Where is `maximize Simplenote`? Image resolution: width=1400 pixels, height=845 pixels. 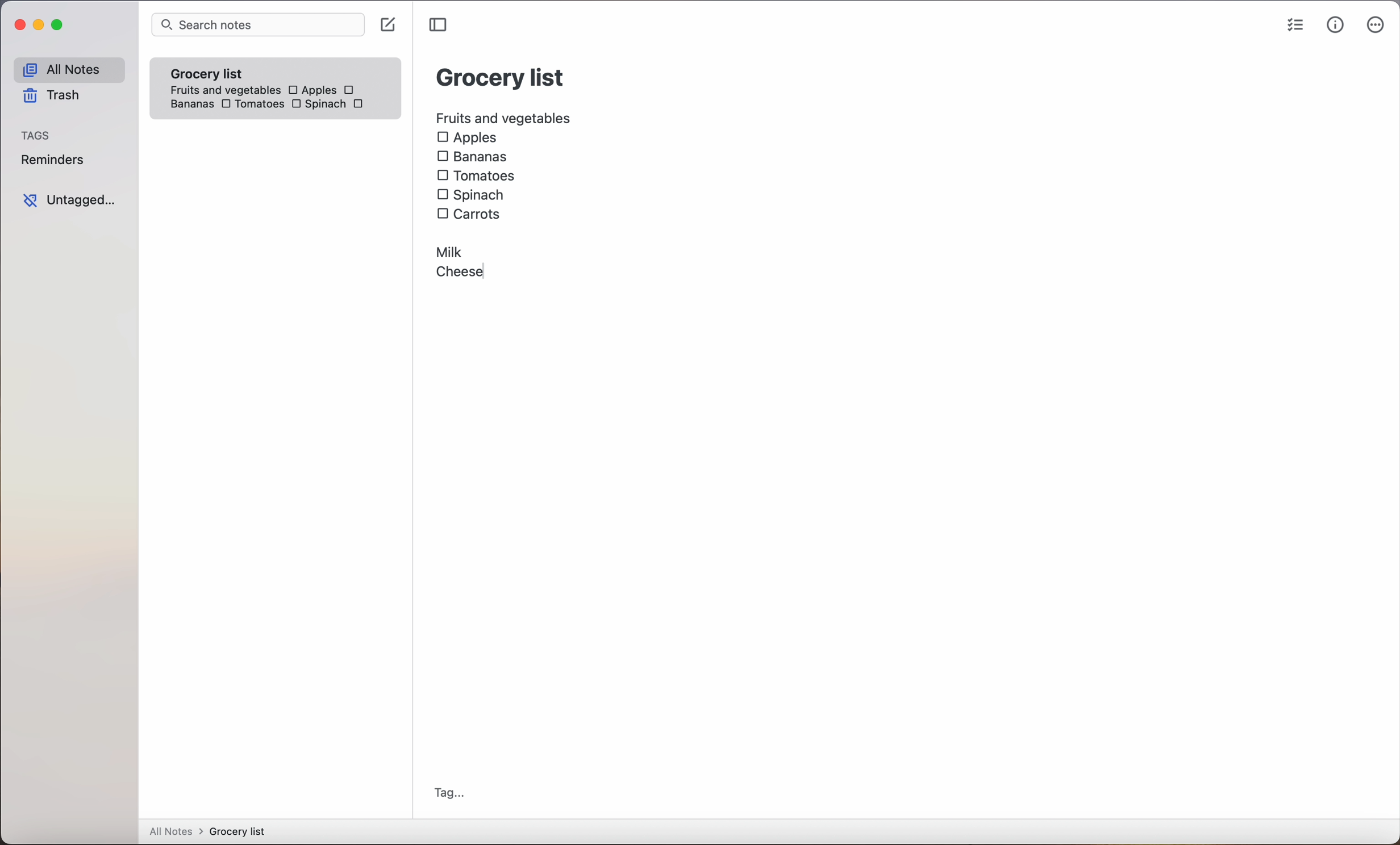 maximize Simplenote is located at coordinates (60, 26).